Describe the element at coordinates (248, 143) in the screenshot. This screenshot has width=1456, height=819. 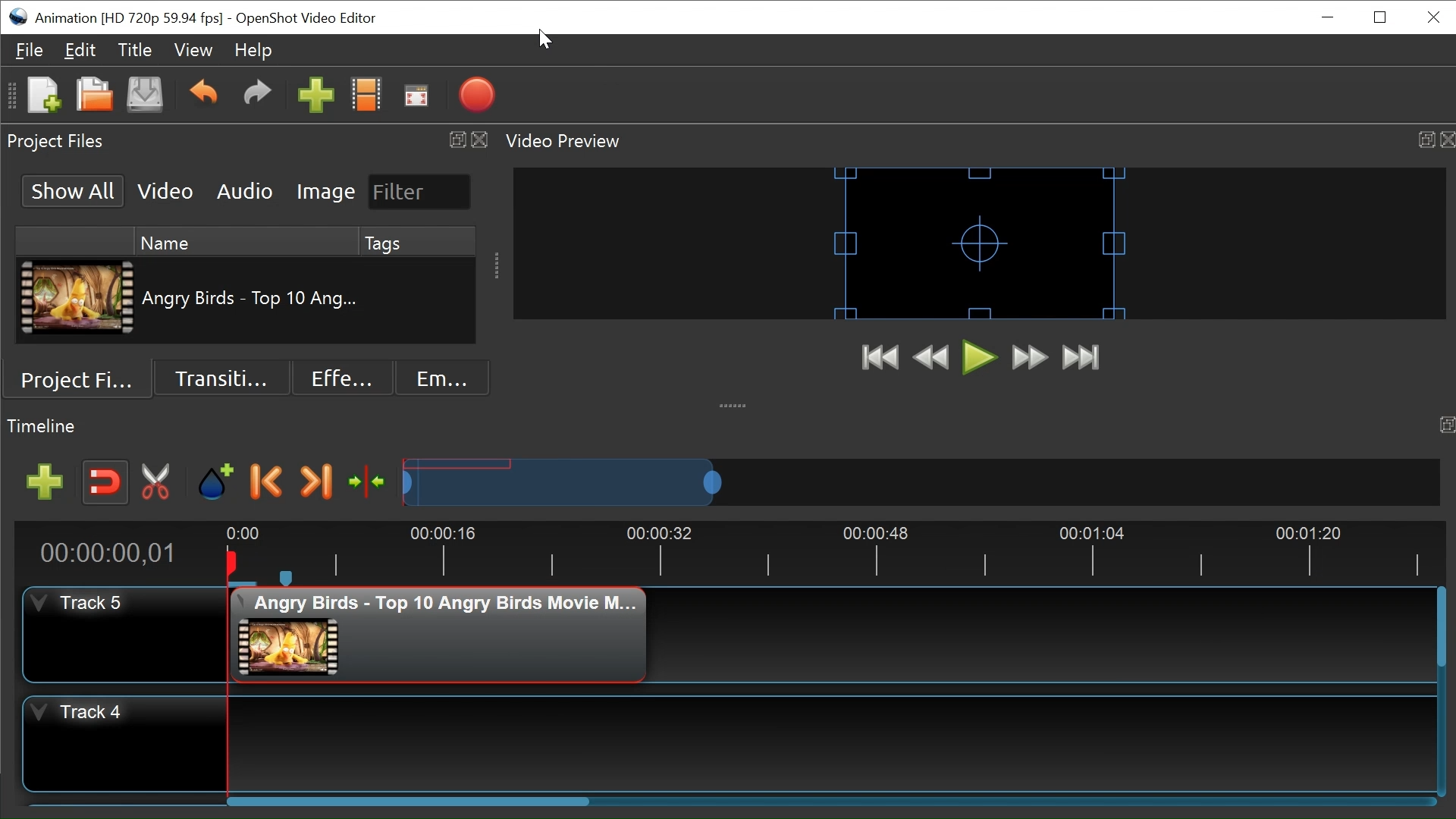
I see `Project Files` at that location.